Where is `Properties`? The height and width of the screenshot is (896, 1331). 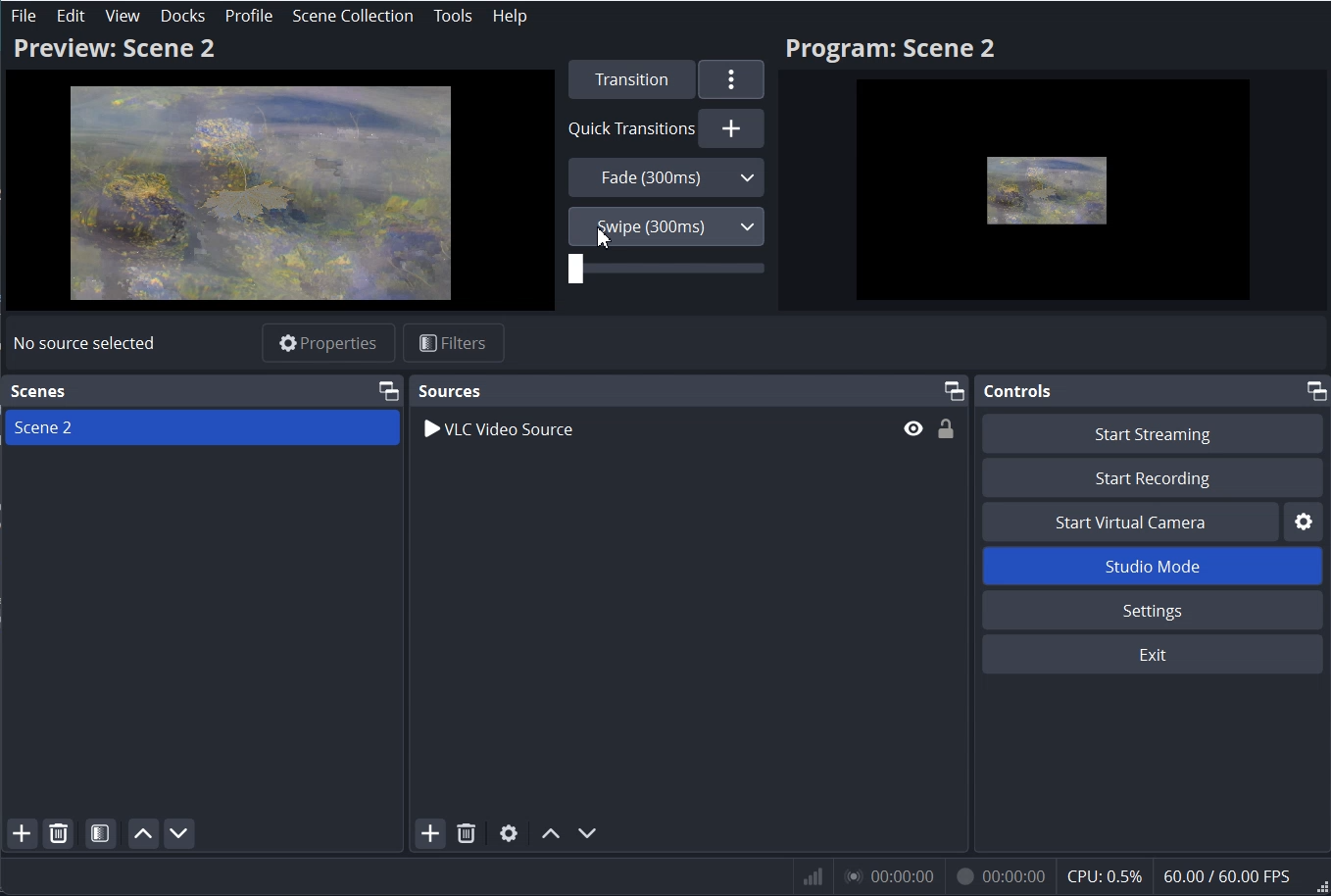
Properties is located at coordinates (327, 341).